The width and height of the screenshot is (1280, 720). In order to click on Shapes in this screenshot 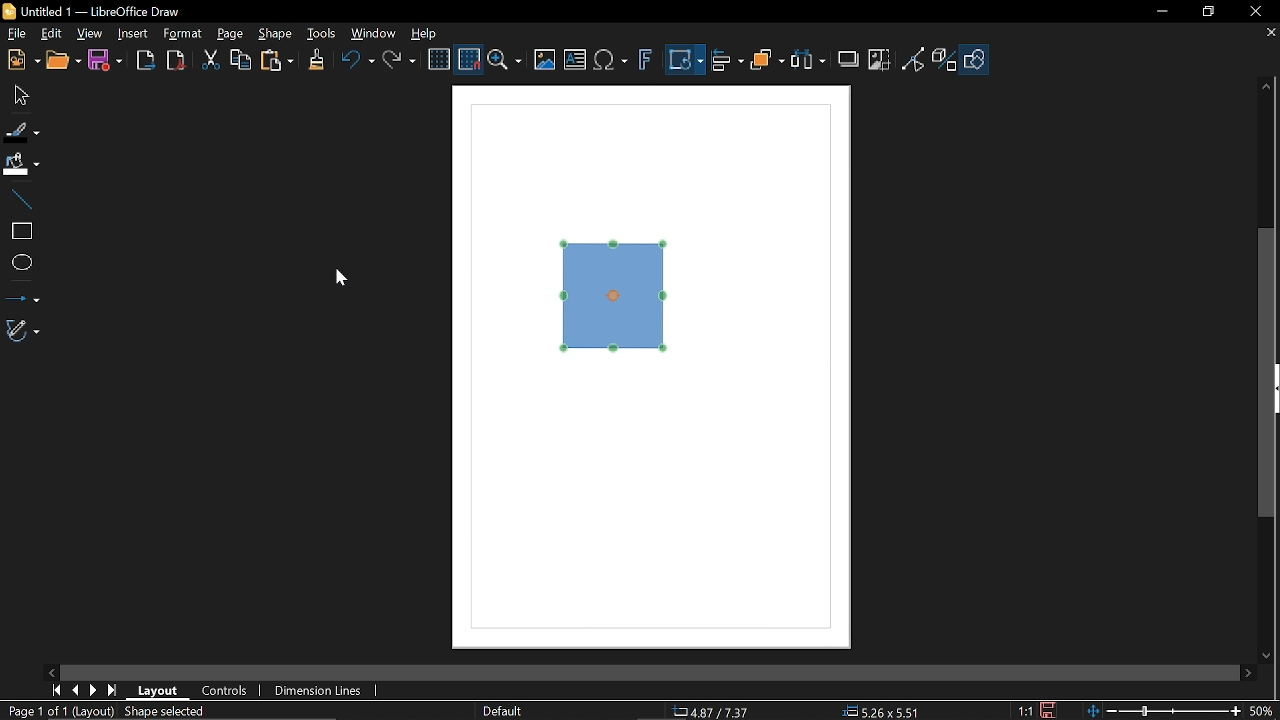, I will do `click(974, 59)`.